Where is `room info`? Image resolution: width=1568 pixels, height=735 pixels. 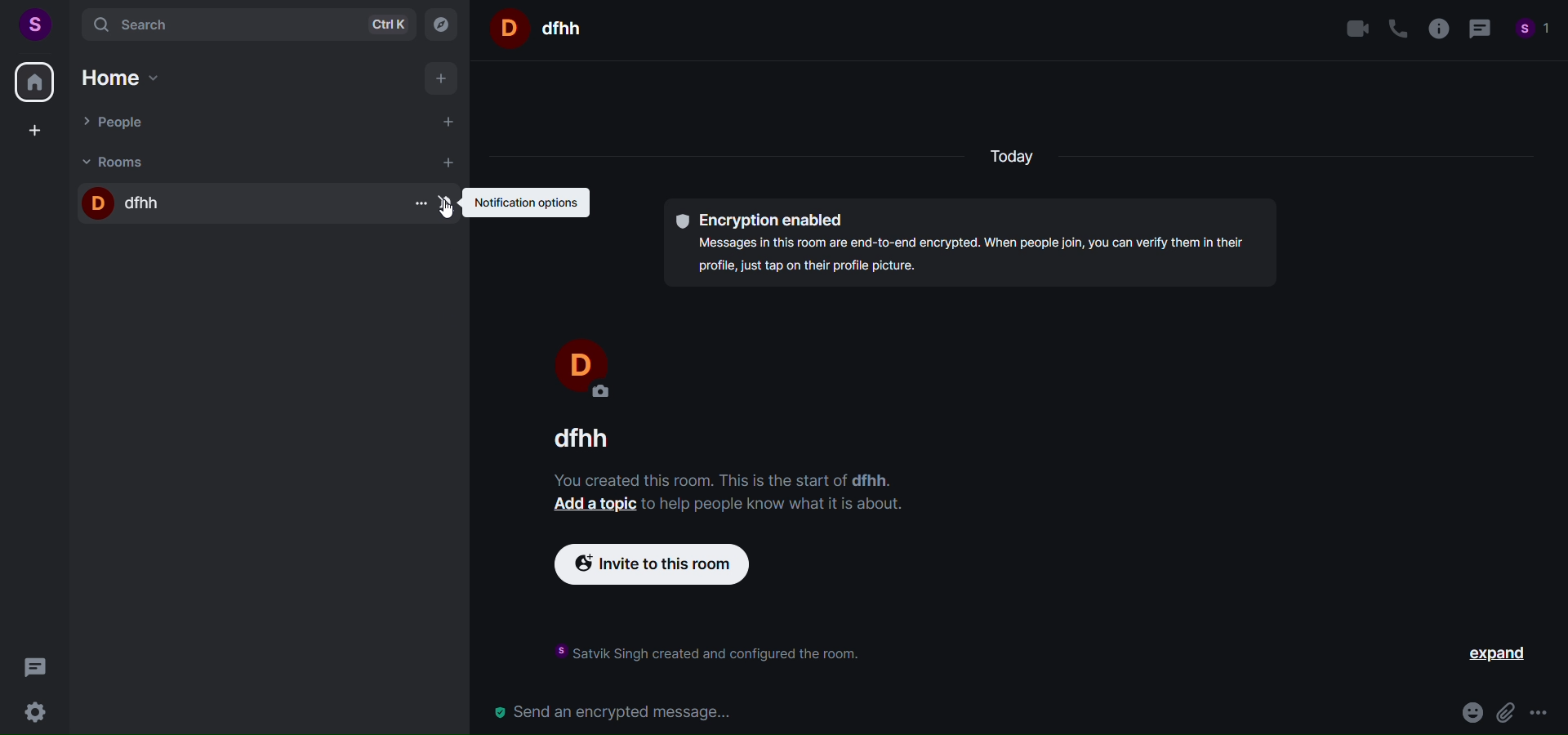 room info is located at coordinates (1441, 29).